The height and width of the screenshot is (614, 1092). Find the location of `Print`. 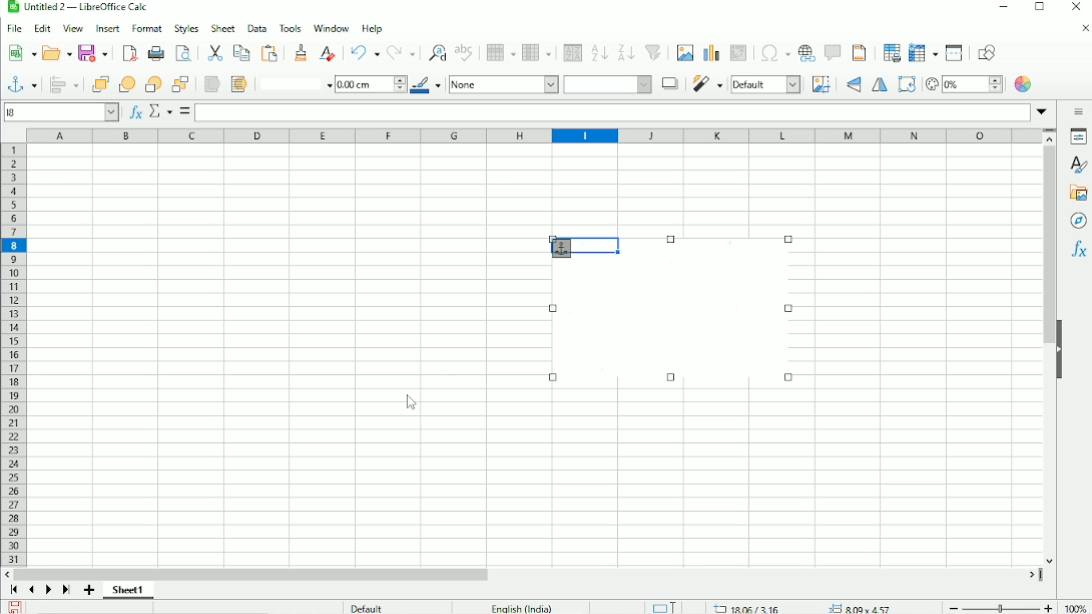

Print is located at coordinates (156, 53).